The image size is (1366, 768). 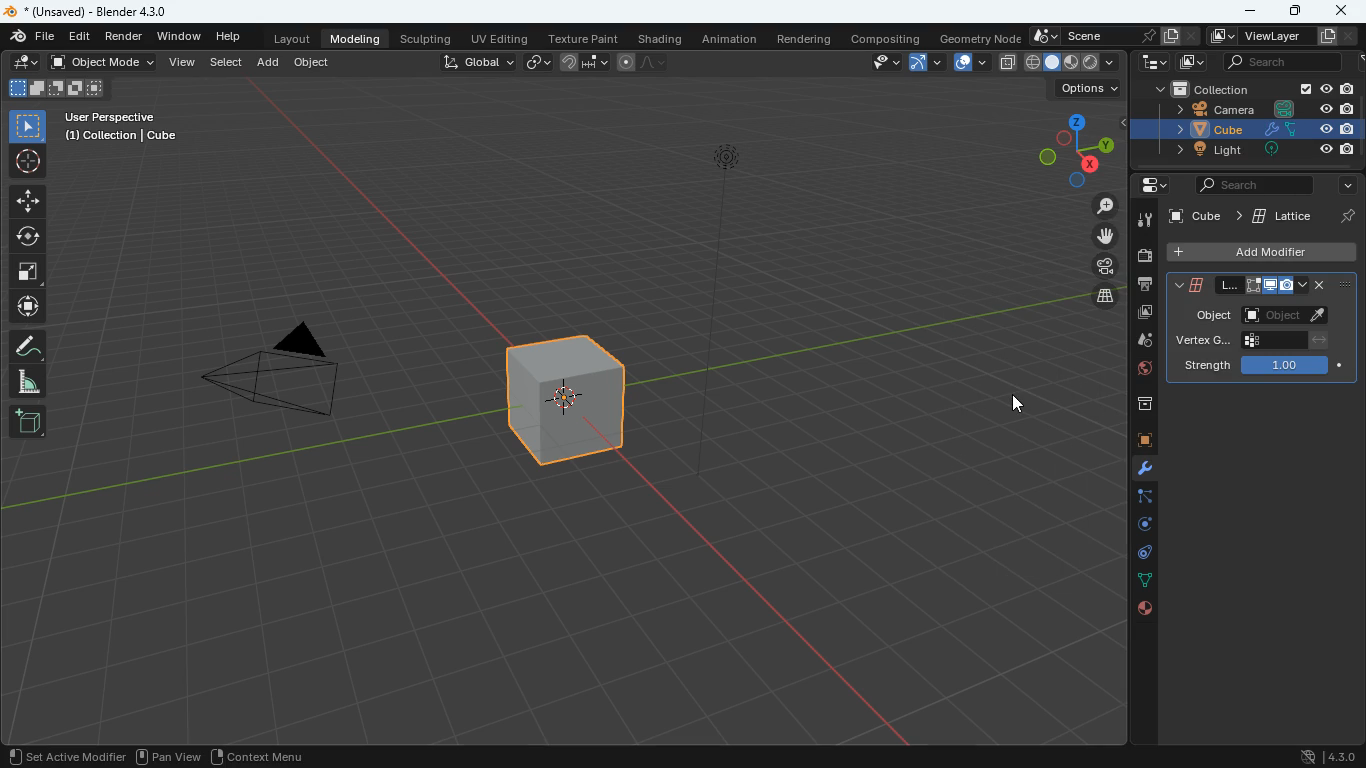 What do you see at coordinates (1297, 62) in the screenshot?
I see `search` at bounding box center [1297, 62].